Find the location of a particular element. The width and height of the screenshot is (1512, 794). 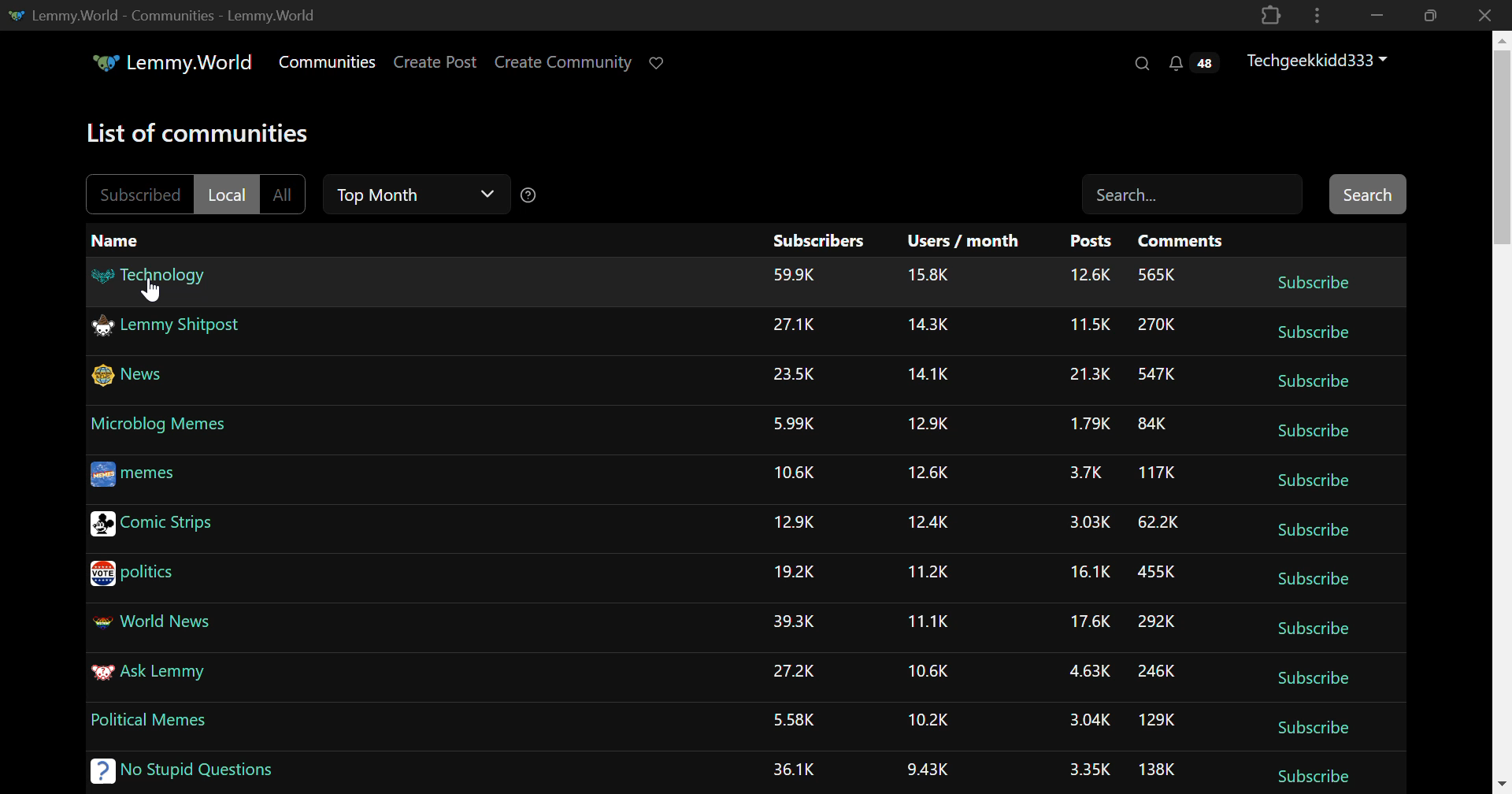

Techgeekkidd333 is located at coordinates (1319, 61).